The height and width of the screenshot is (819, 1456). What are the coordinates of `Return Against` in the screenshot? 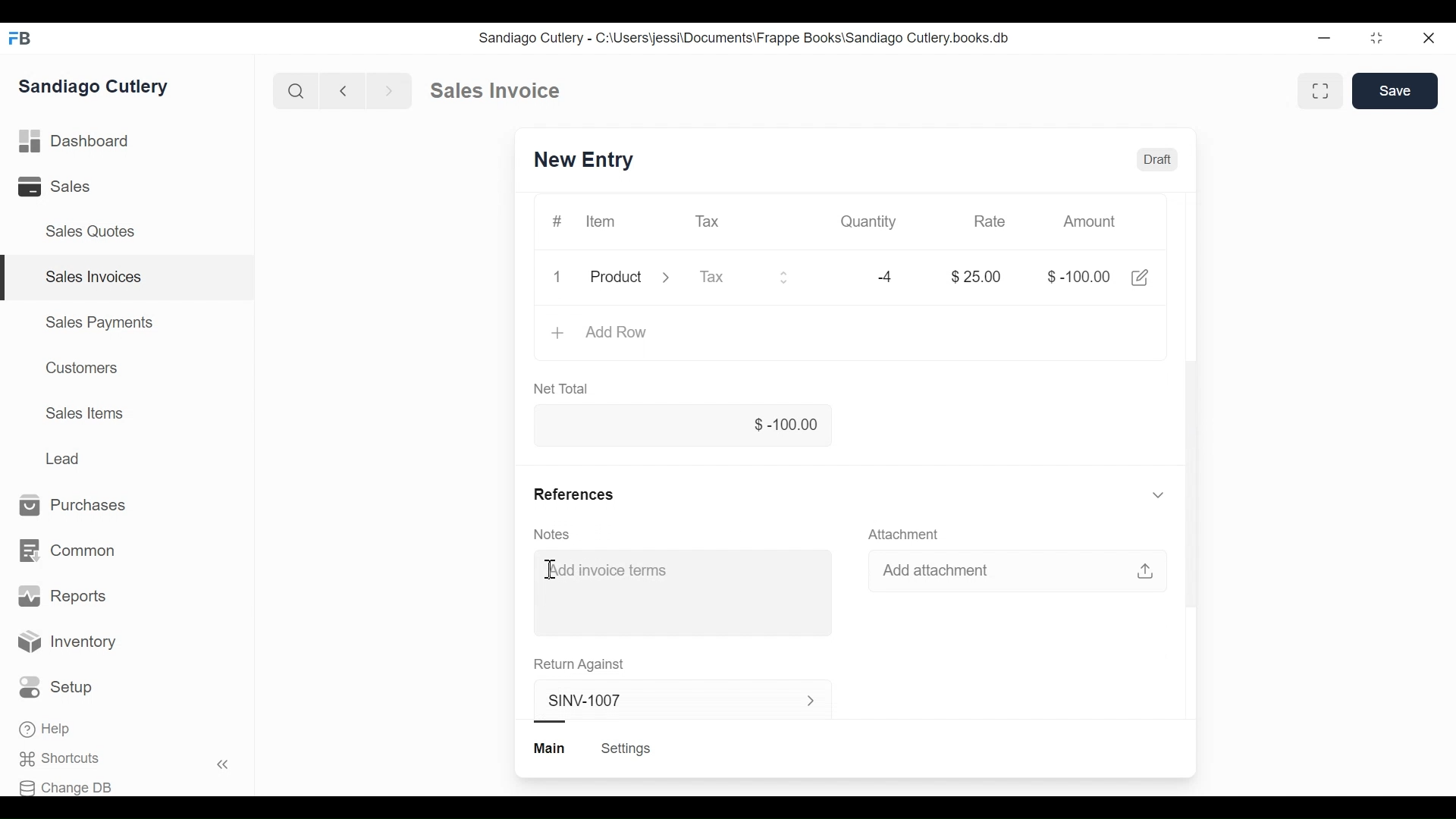 It's located at (579, 664).